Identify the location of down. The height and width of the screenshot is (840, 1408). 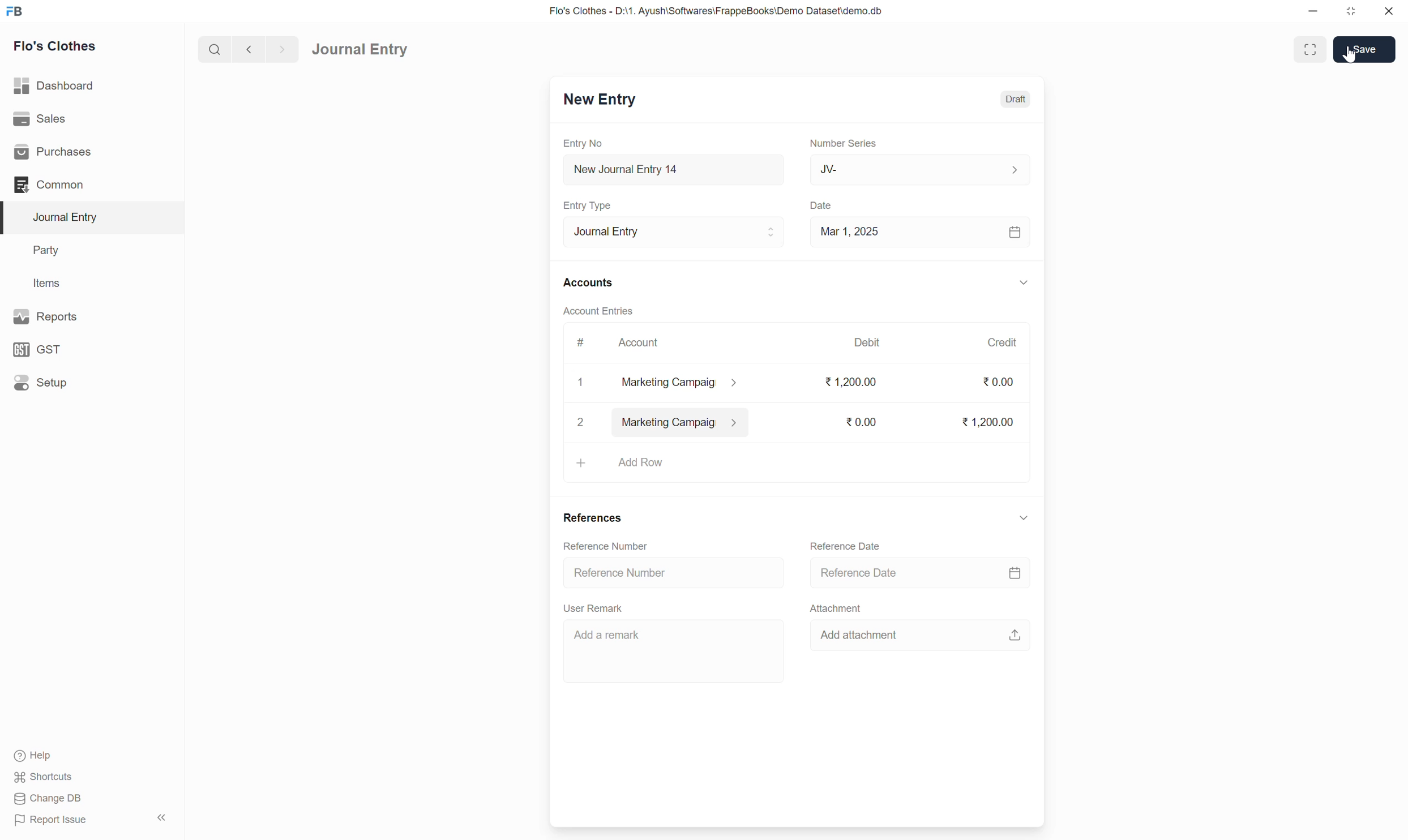
(1022, 284).